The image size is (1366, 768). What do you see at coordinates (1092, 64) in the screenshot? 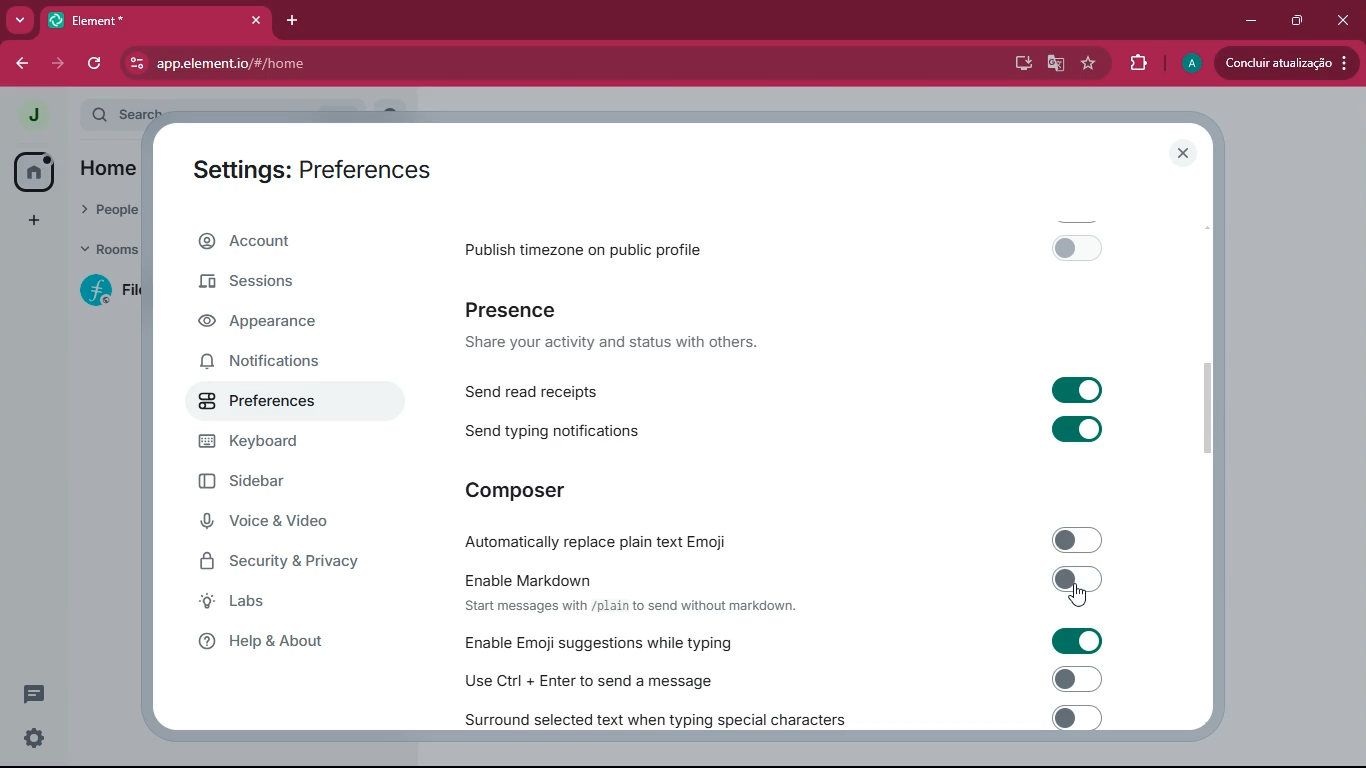
I see `favourite` at bounding box center [1092, 64].